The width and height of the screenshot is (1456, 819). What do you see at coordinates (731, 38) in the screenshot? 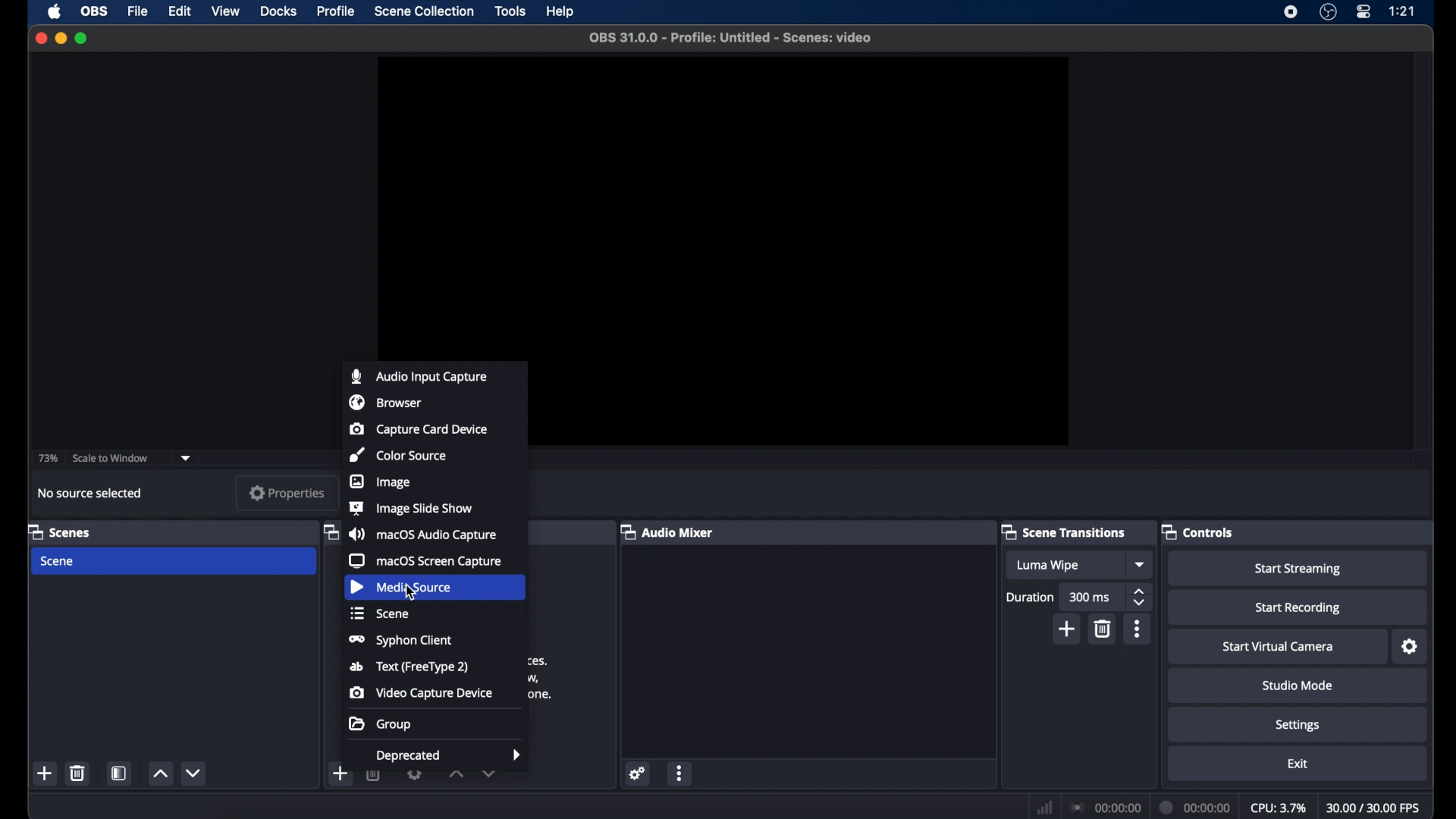
I see `file name` at bounding box center [731, 38].